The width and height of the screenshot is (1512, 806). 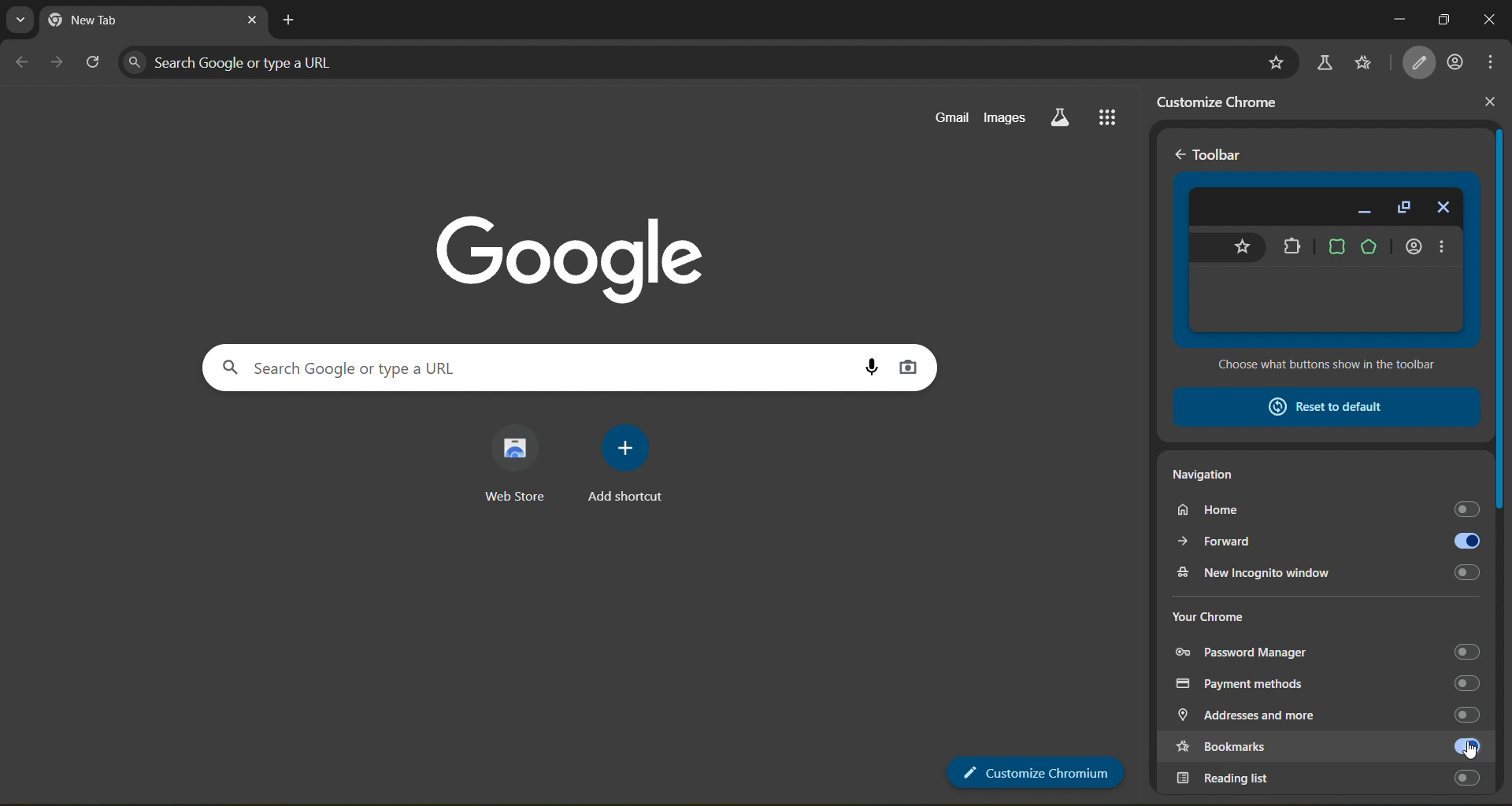 I want to click on customize chrome, so click(x=1228, y=102).